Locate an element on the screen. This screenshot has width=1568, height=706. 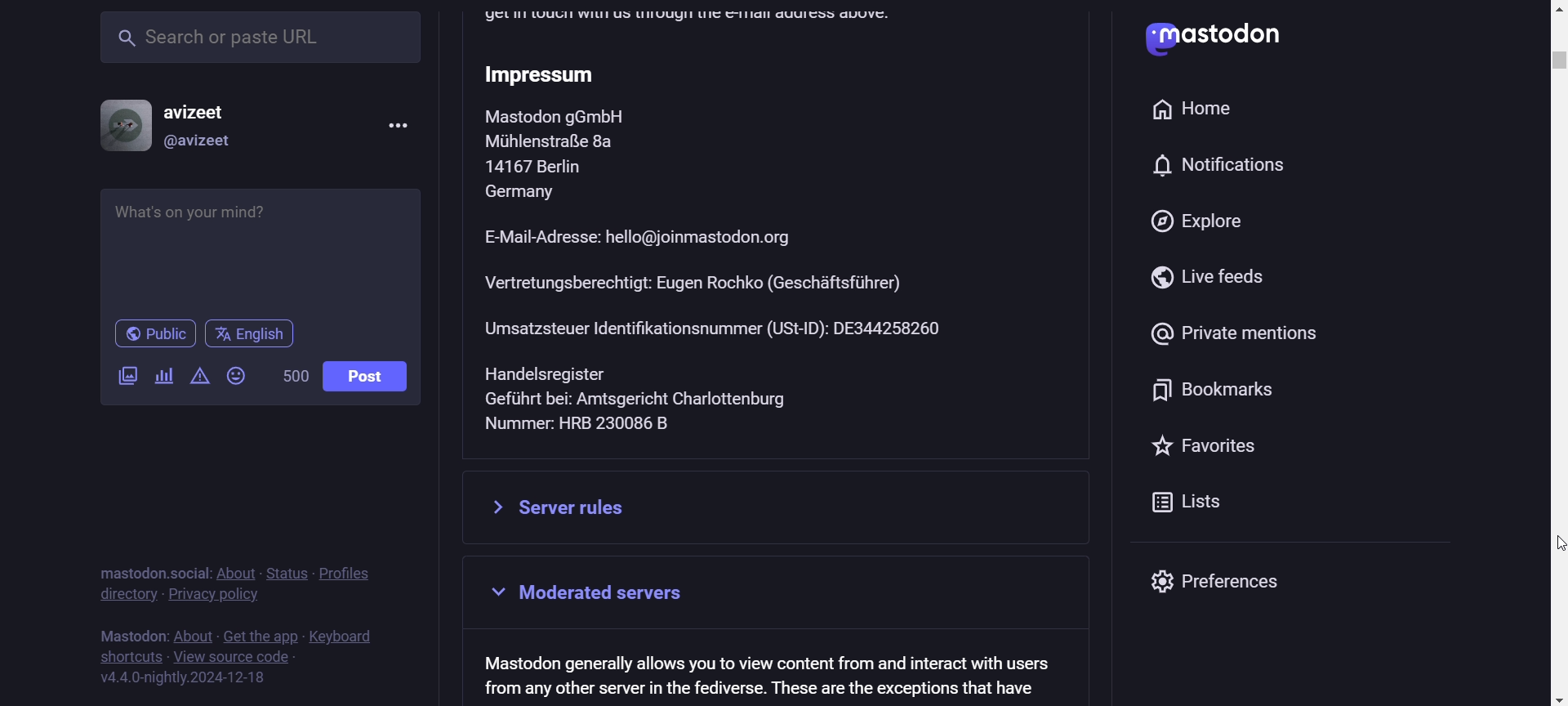
keyboard is located at coordinates (345, 634).